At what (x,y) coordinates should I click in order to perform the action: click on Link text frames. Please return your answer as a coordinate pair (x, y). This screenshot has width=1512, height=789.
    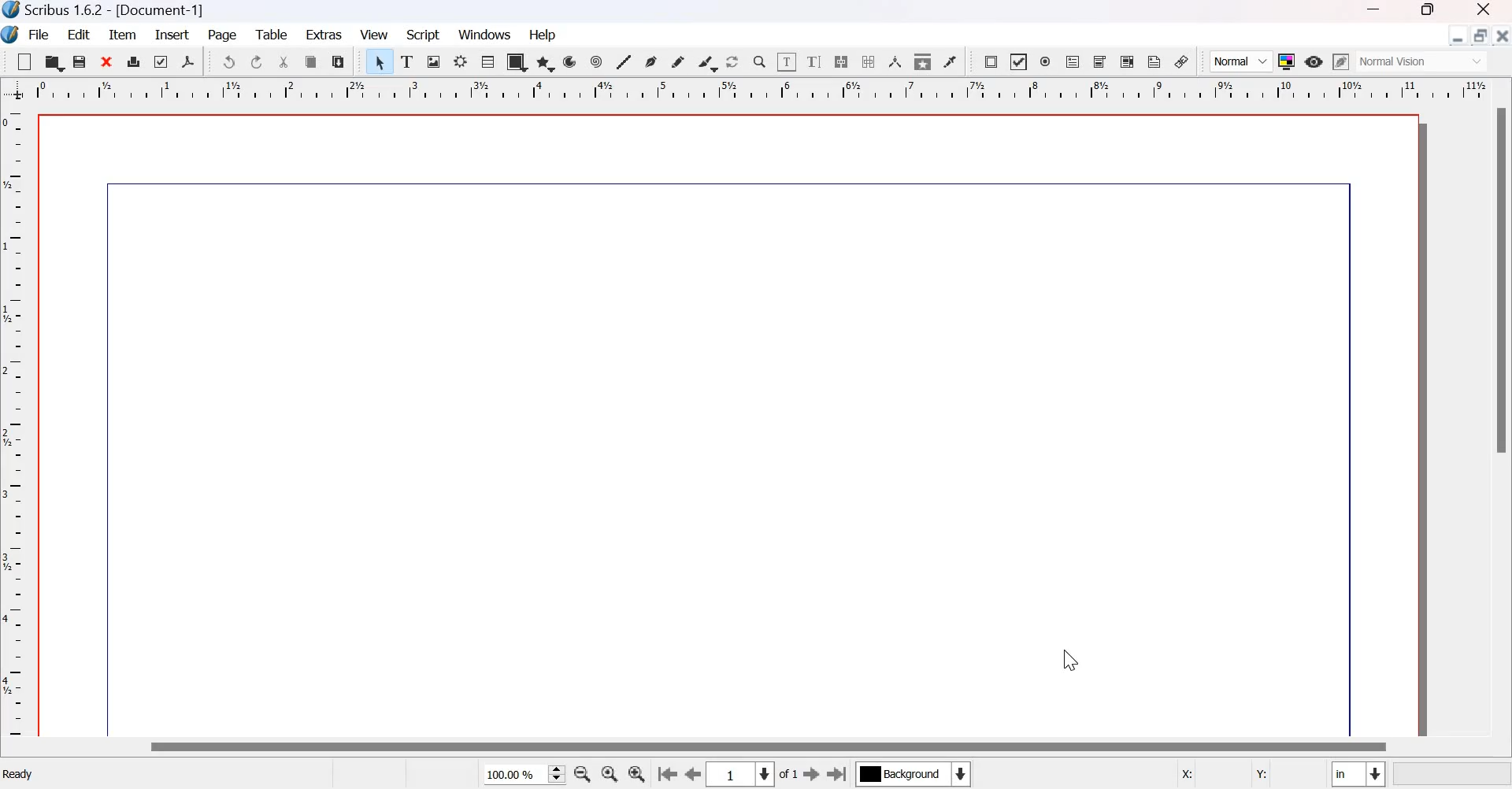
    Looking at the image, I should click on (842, 61).